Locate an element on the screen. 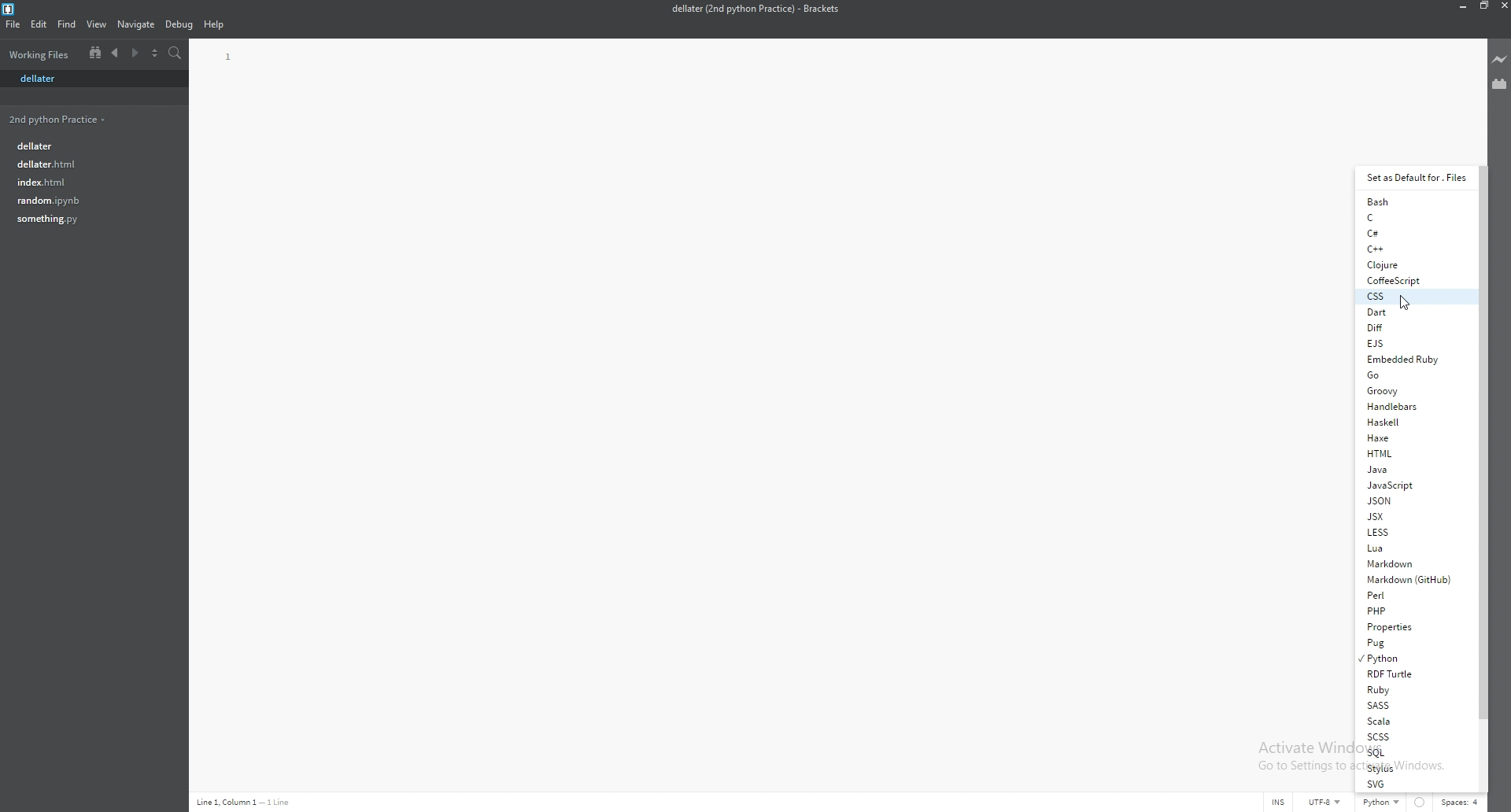  haxe is located at coordinates (1413, 437).